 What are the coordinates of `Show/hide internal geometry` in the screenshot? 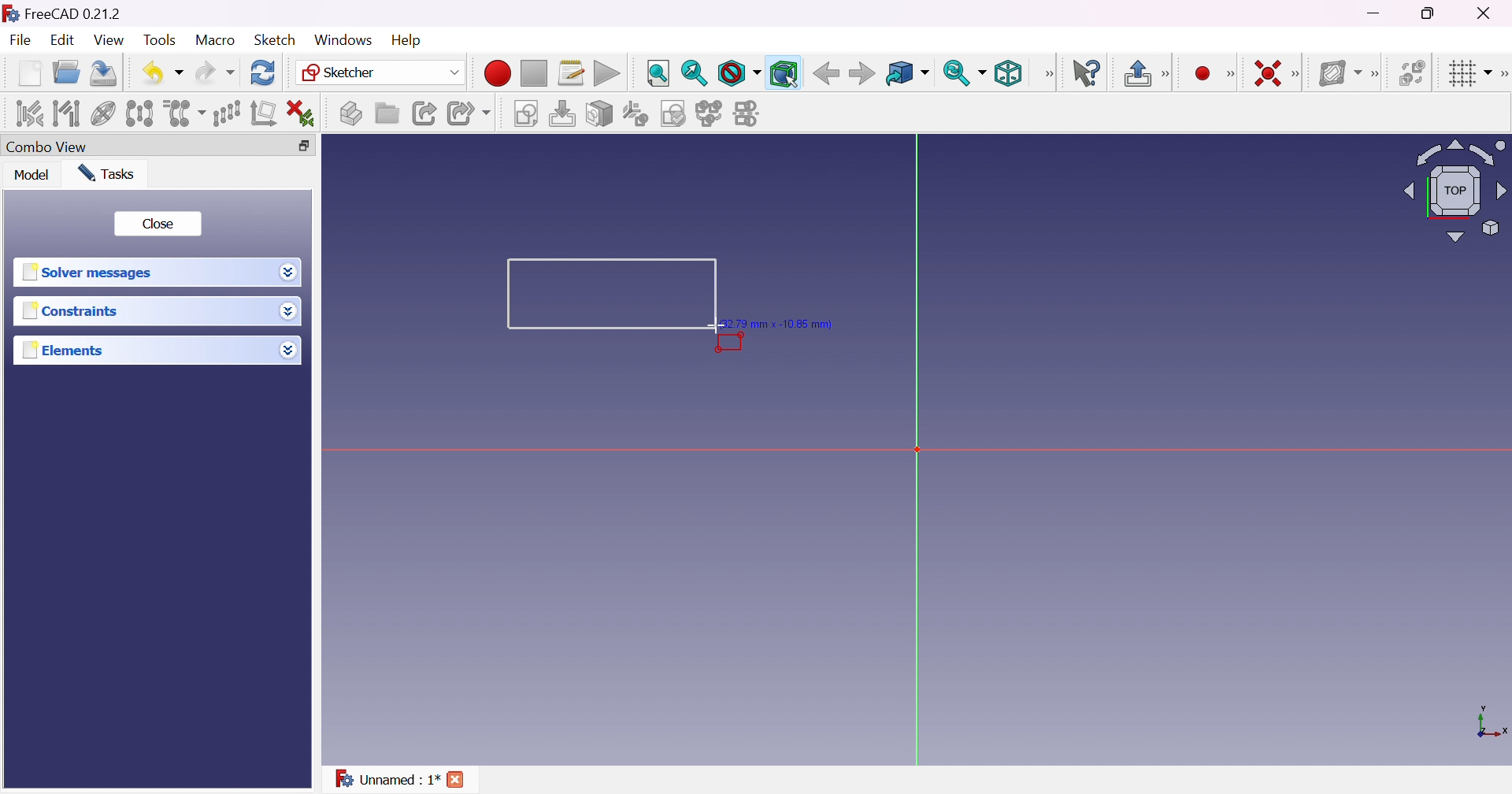 It's located at (103, 113).